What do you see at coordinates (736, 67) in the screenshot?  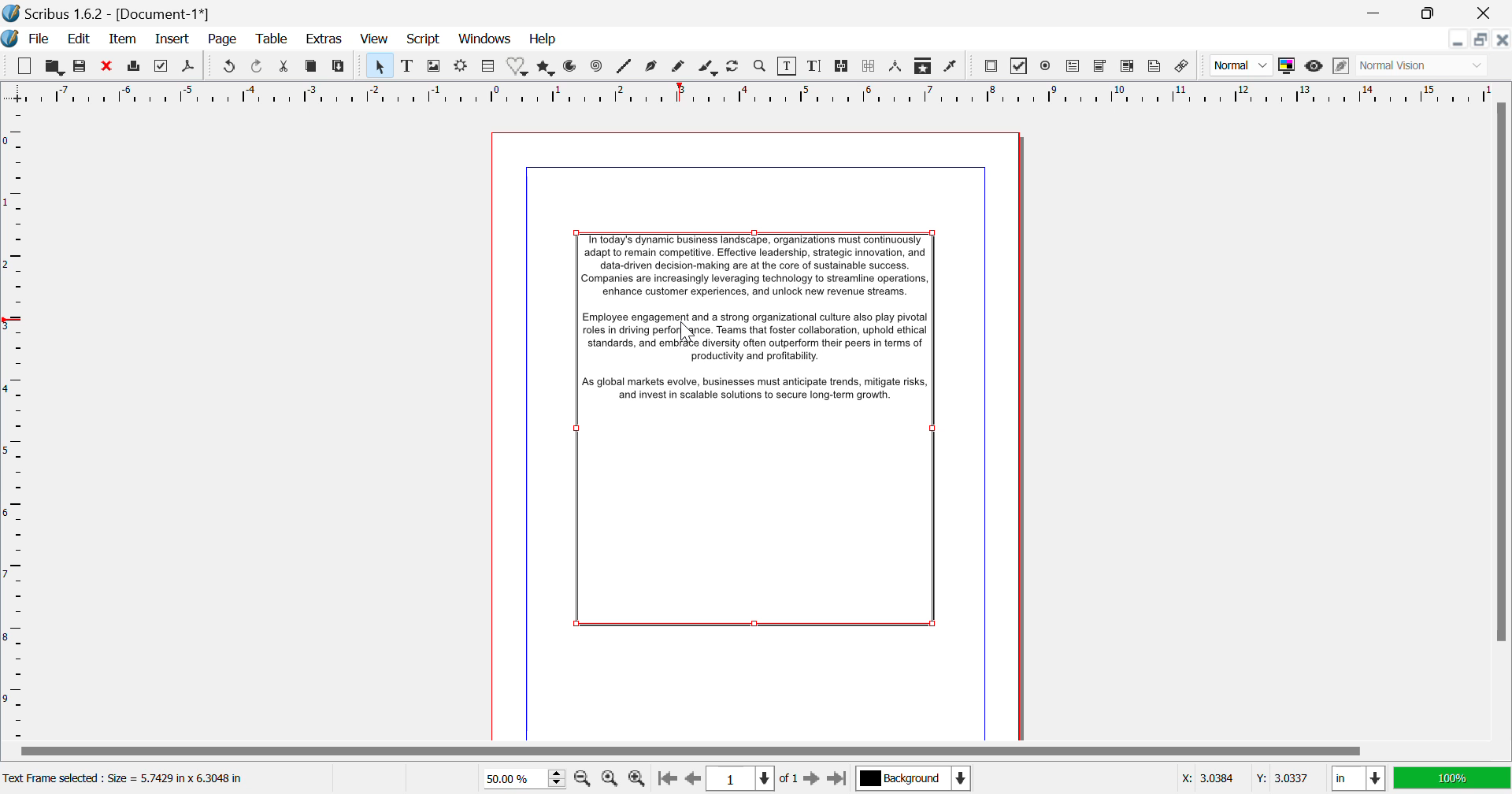 I see `Refresh` at bounding box center [736, 67].